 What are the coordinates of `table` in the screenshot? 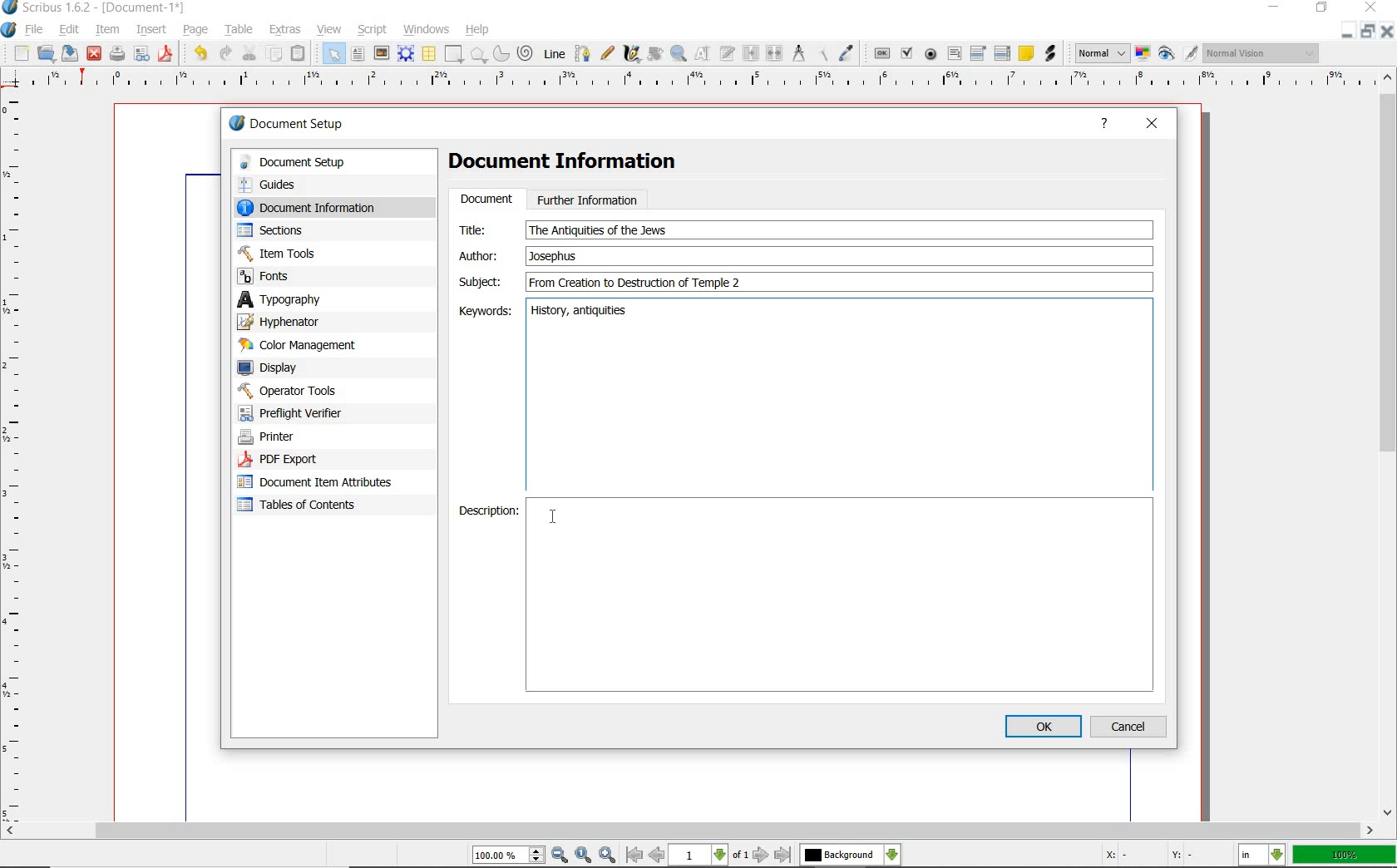 It's located at (428, 53).